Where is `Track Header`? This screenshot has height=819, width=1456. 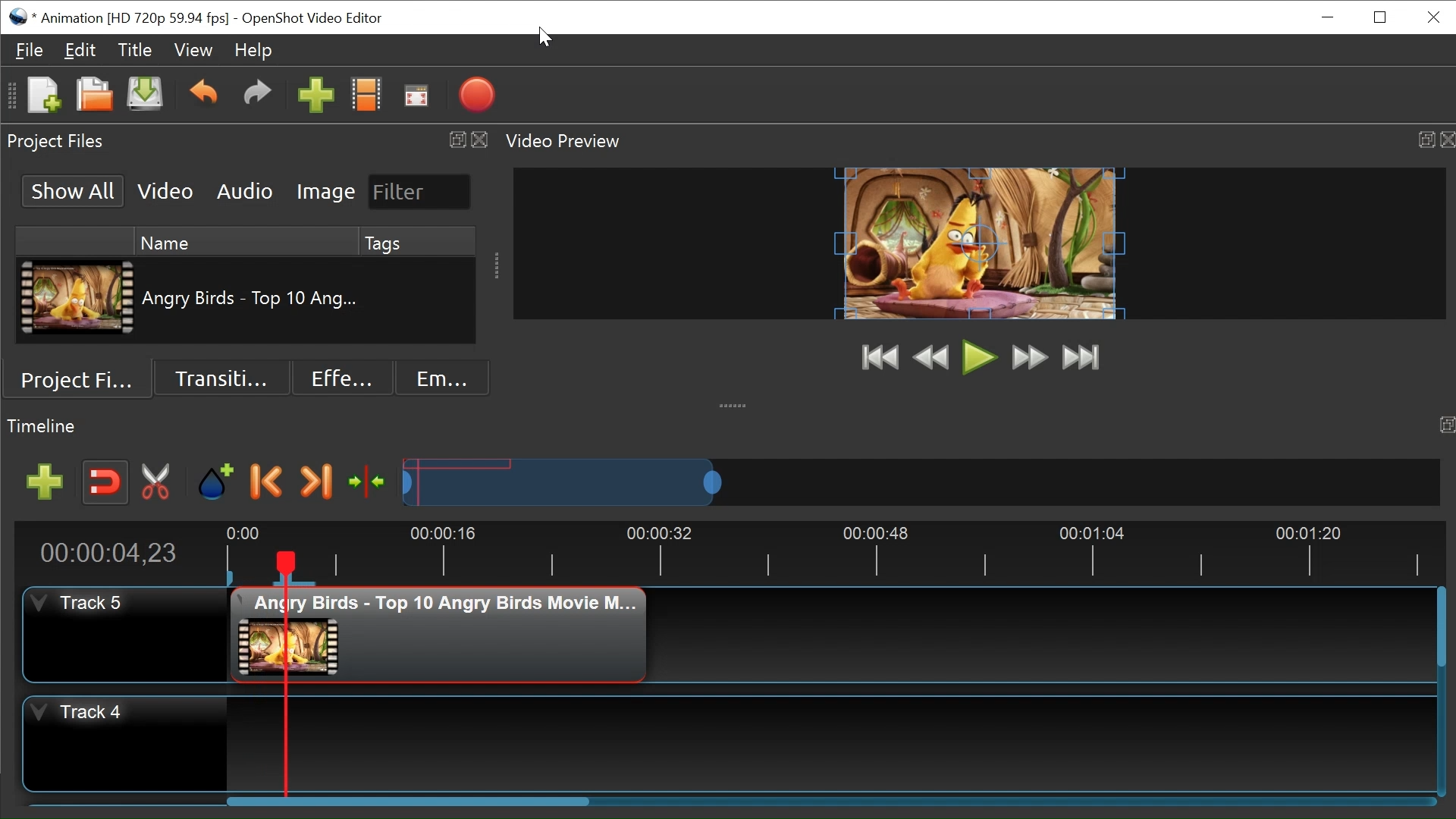
Track Header is located at coordinates (124, 634).